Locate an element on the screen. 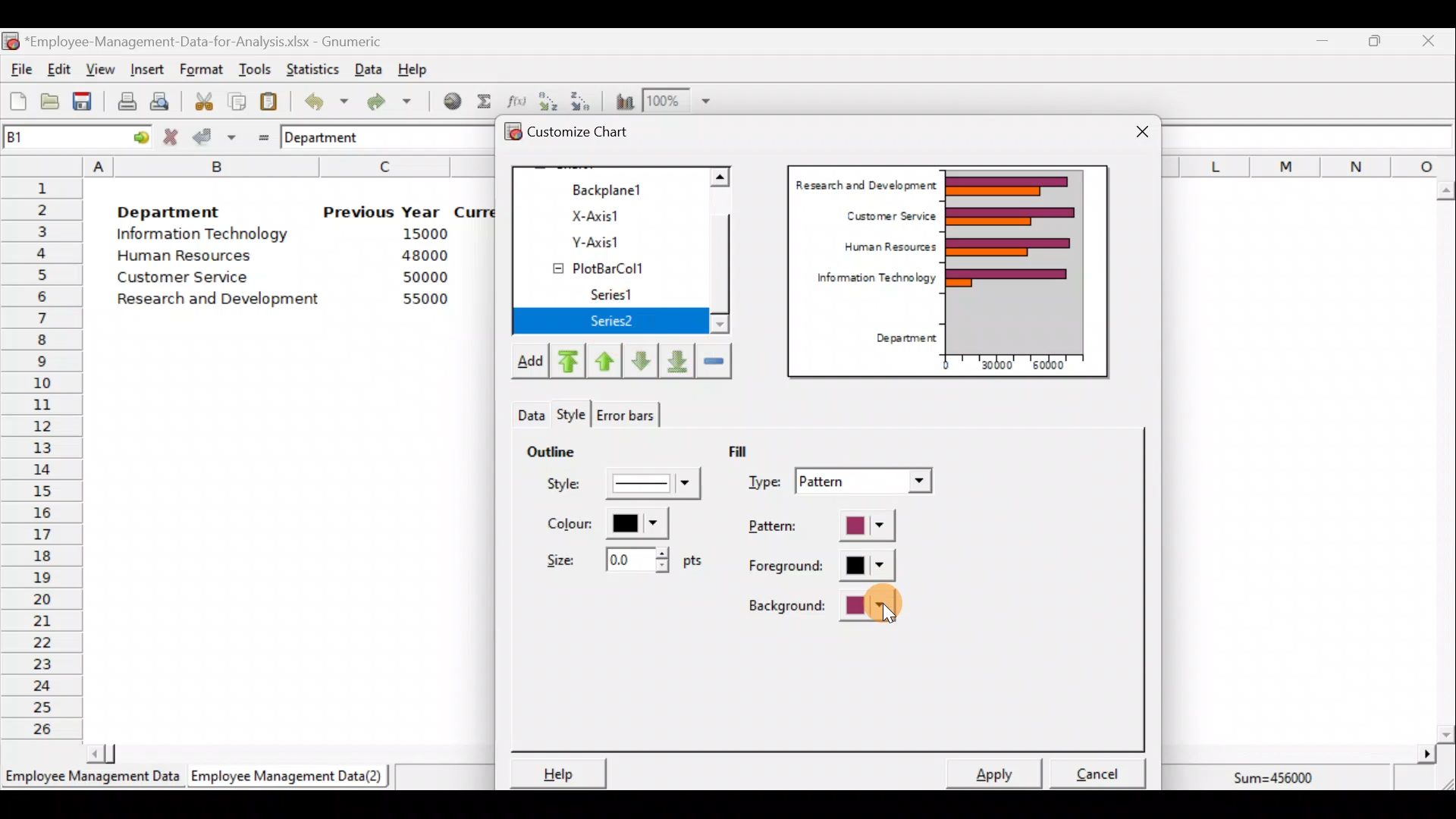 This screenshot has width=1456, height=819. Gnumeric logo is located at coordinates (11, 42).